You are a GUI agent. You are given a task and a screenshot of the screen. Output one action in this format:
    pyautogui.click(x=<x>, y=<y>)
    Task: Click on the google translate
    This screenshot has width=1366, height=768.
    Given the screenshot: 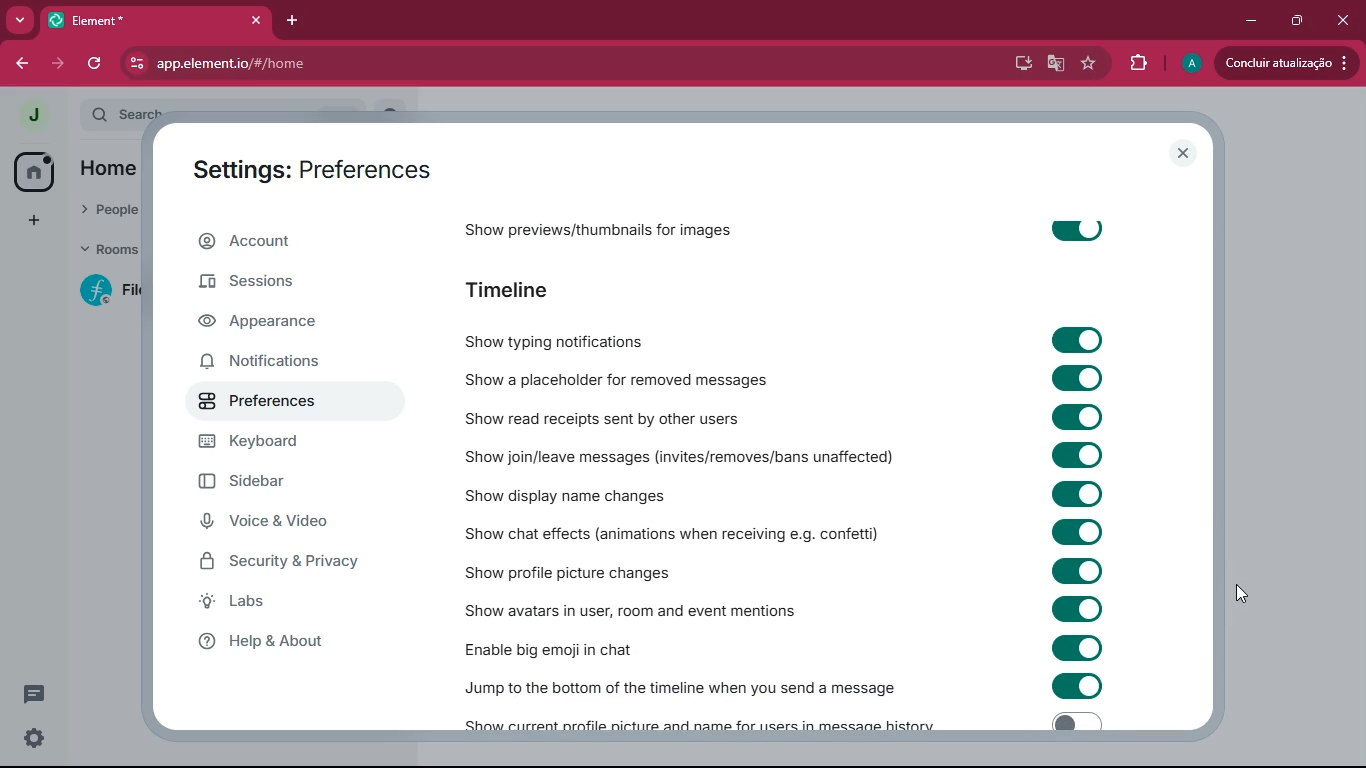 What is the action you would take?
    pyautogui.click(x=1054, y=64)
    